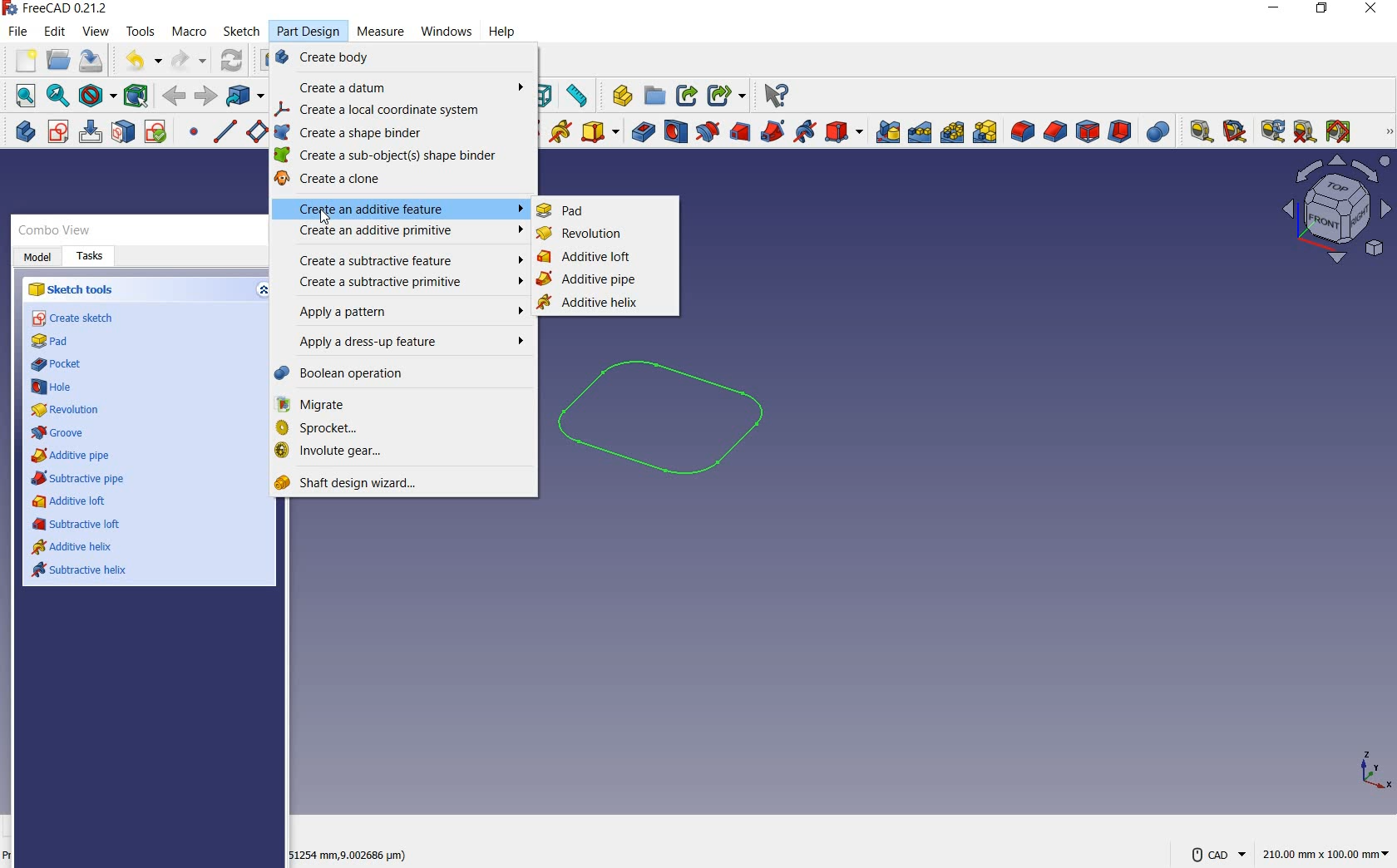 This screenshot has width=1397, height=868. What do you see at coordinates (682, 427) in the screenshot?
I see `sketch` at bounding box center [682, 427].